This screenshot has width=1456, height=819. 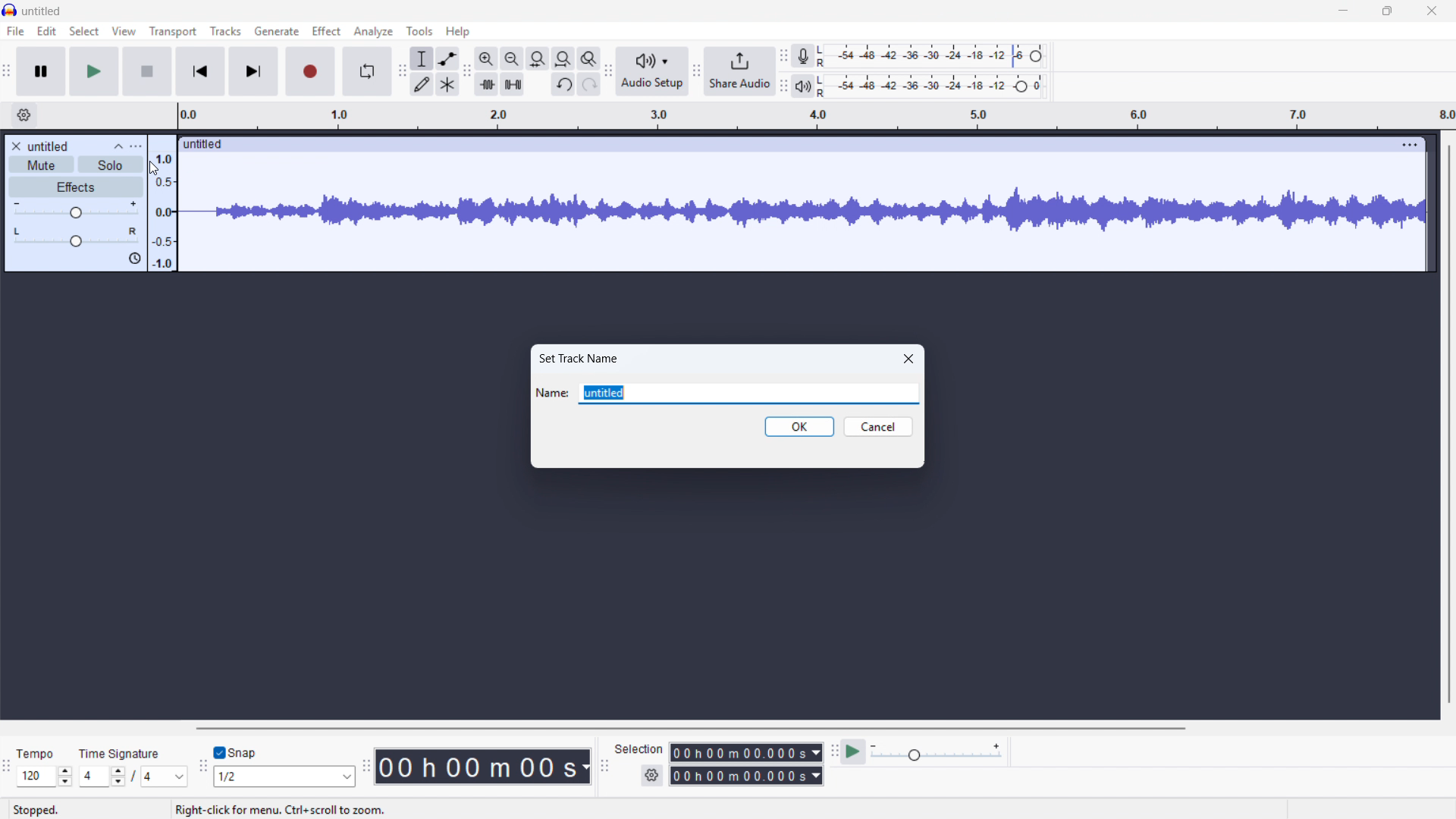 What do you see at coordinates (487, 83) in the screenshot?
I see `Trim audio outside selection ` at bounding box center [487, 83].